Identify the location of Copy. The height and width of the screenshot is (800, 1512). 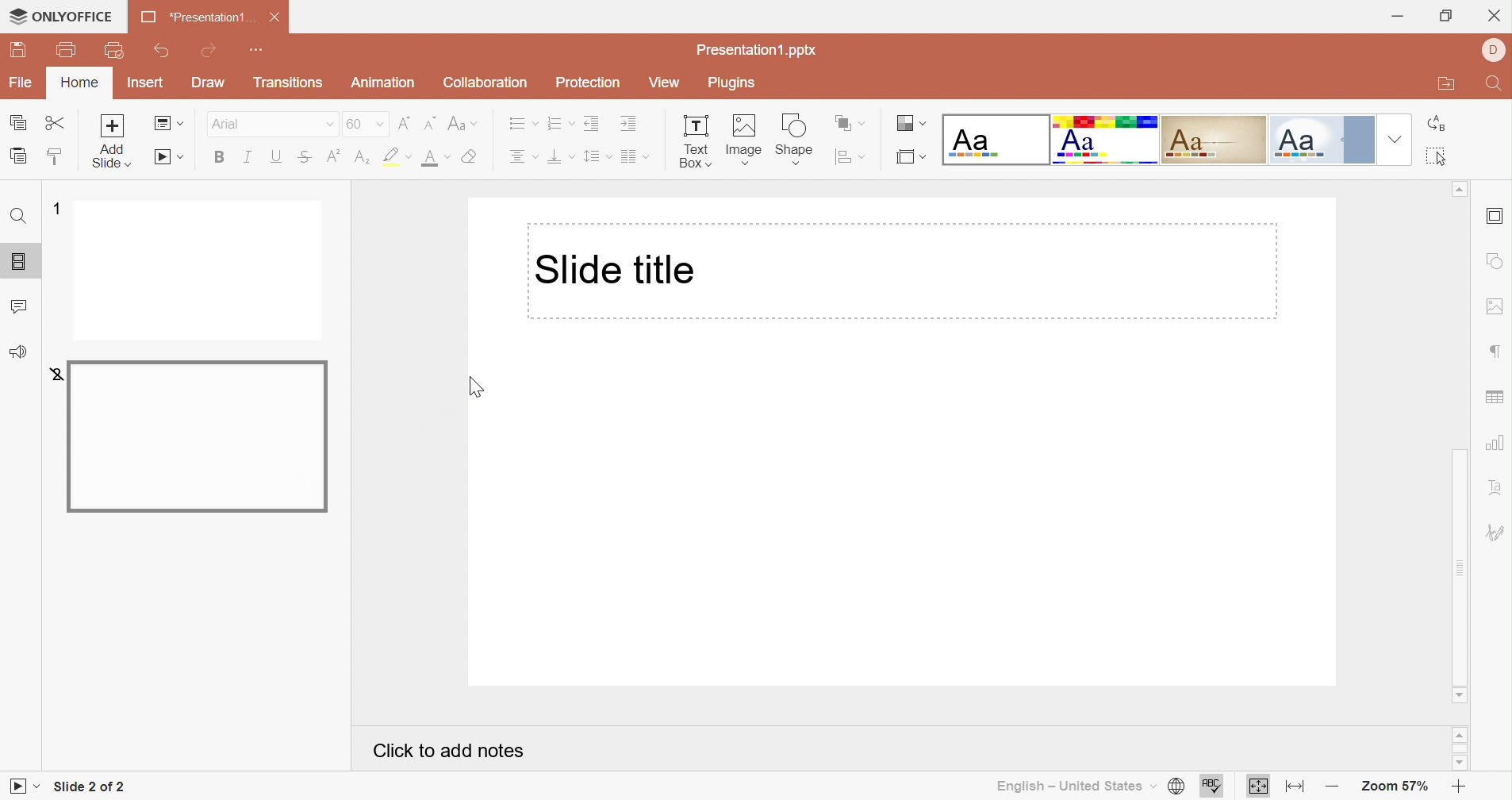
(17, 121).